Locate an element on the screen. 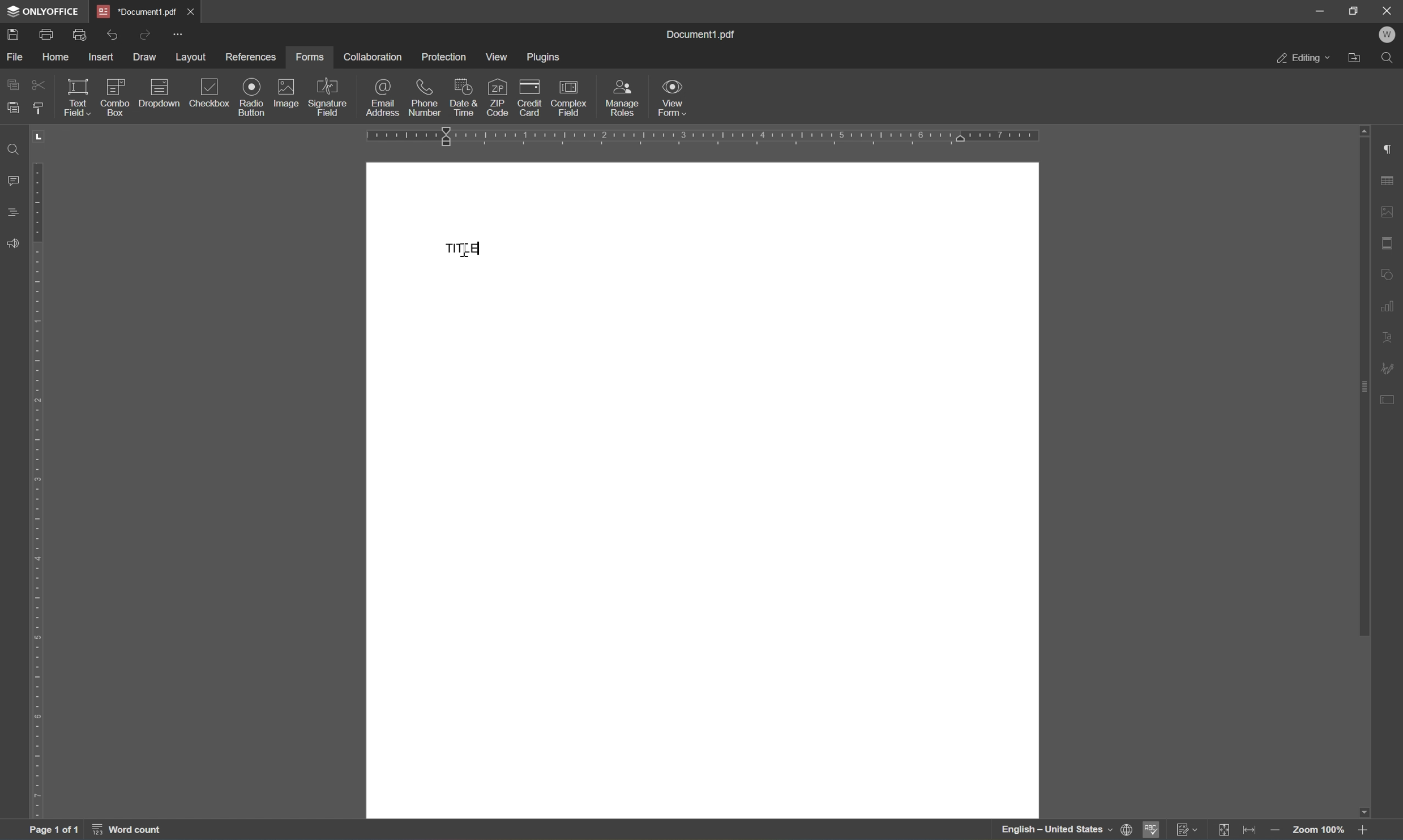  form settings is located at coordinates (1390, 405).